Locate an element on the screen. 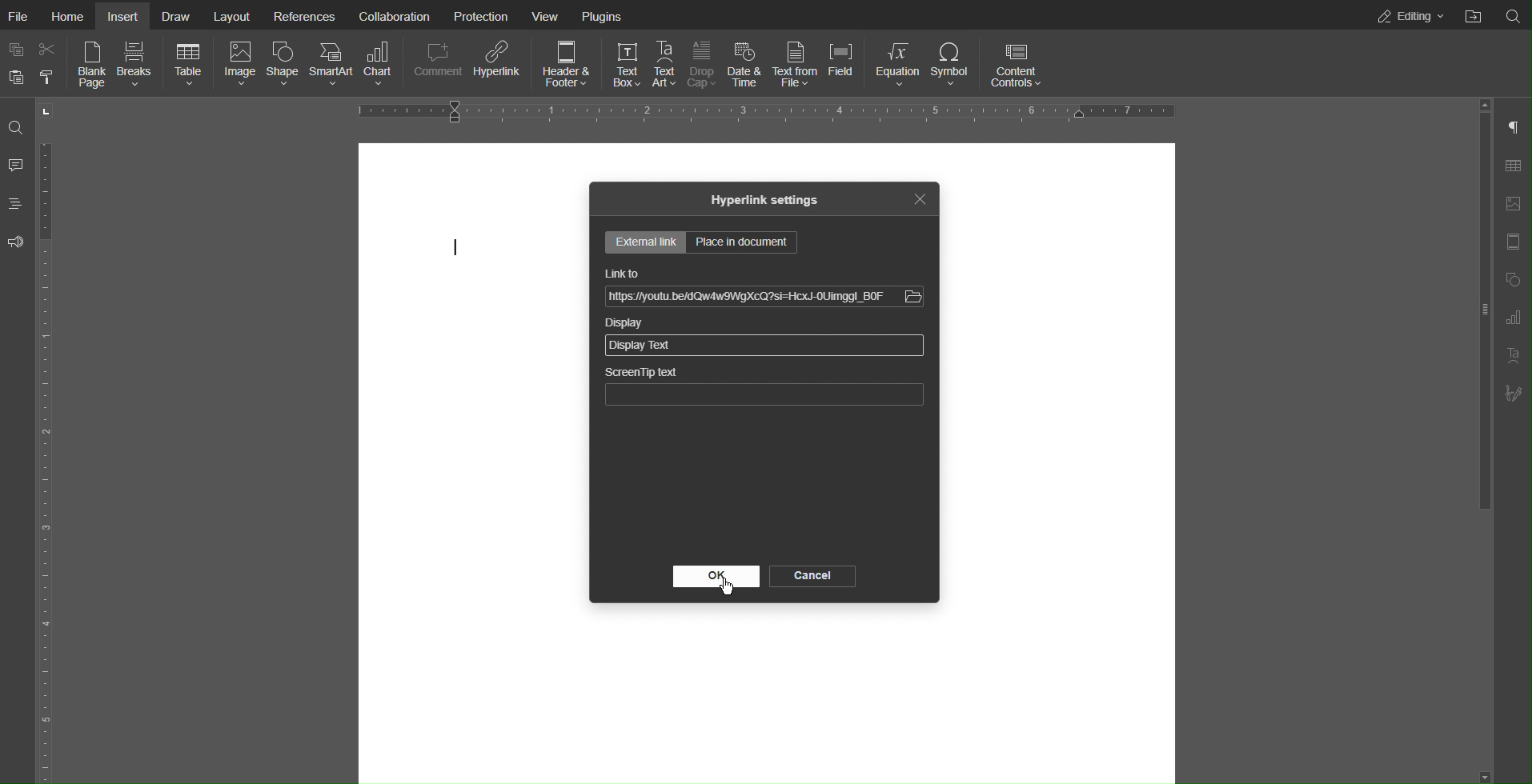 The width and height of the screenshot is (1532, 784). Drop Cap is located at coordinates (704, 65).